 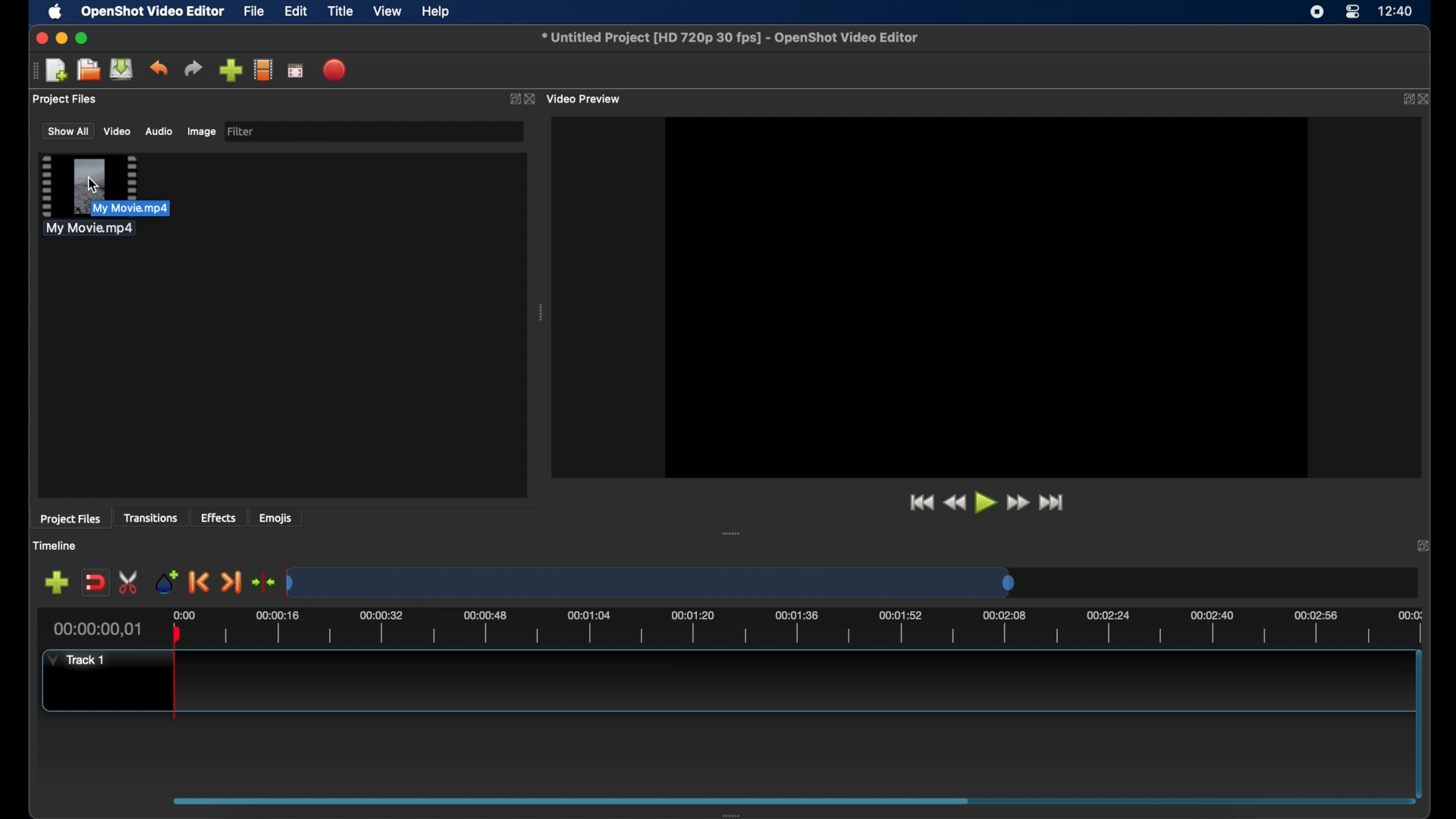 What do you see at coordinates (33, 71) in the screenshot?
I see `drag handle` at bounding box center [33, 71].